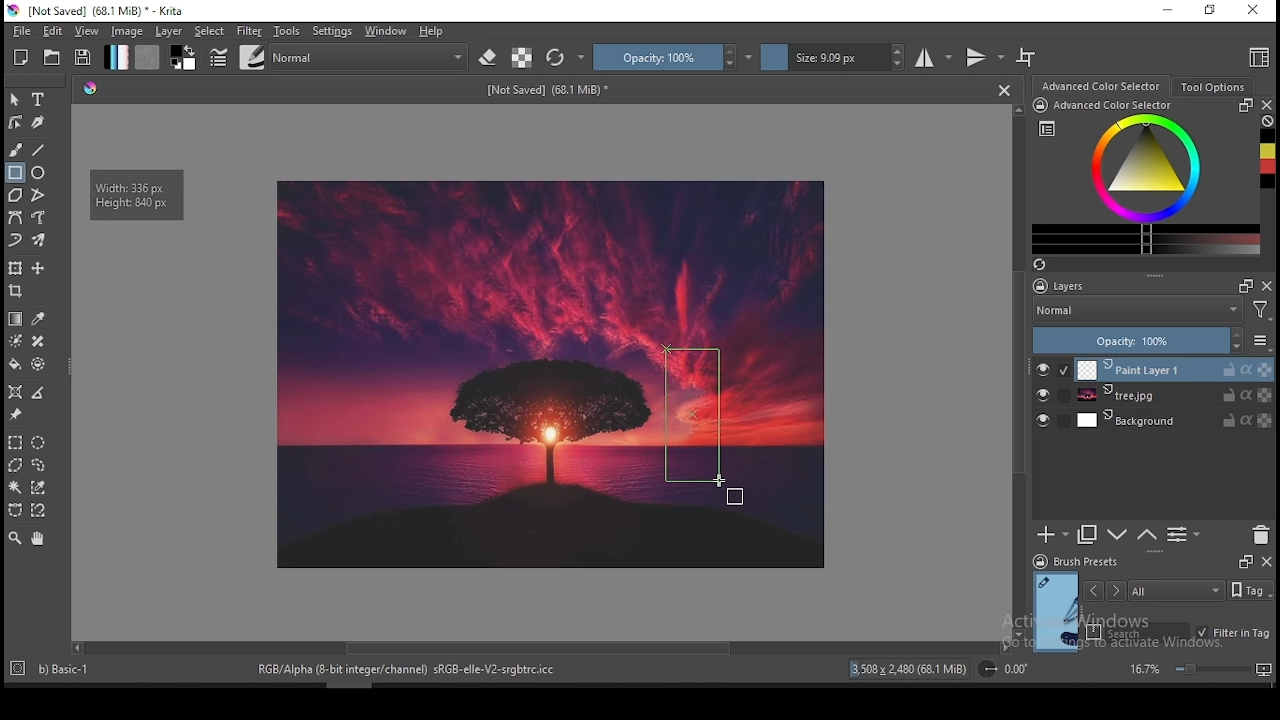 Image resolution: width=1280 pixels, height=720 pixels. What do you see at coordinates (18, 291) in the screenshot?
I see `crop tool` at bounding box center [18, 291].